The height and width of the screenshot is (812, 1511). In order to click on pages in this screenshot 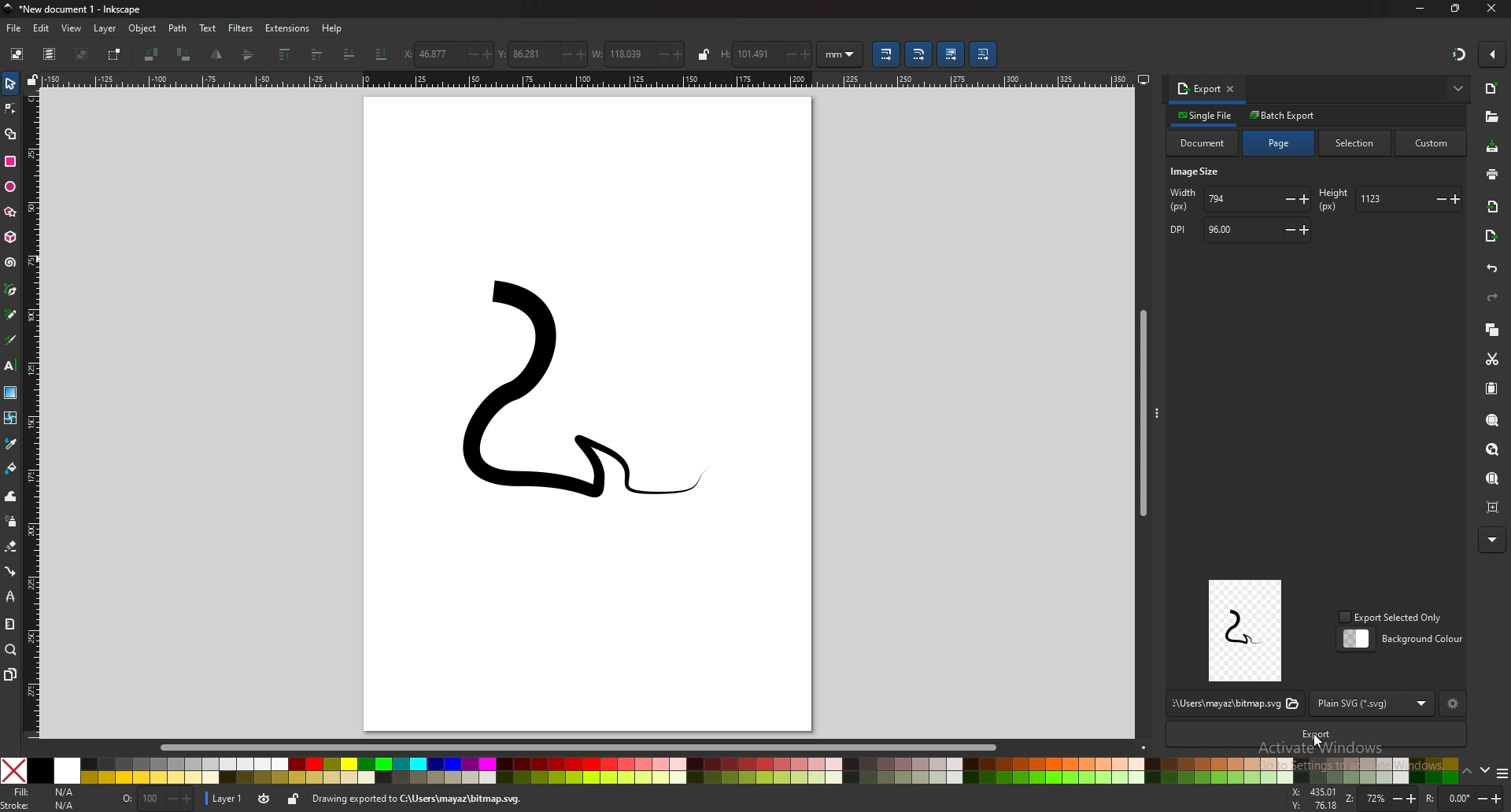, I will do `click(10, 674)`.